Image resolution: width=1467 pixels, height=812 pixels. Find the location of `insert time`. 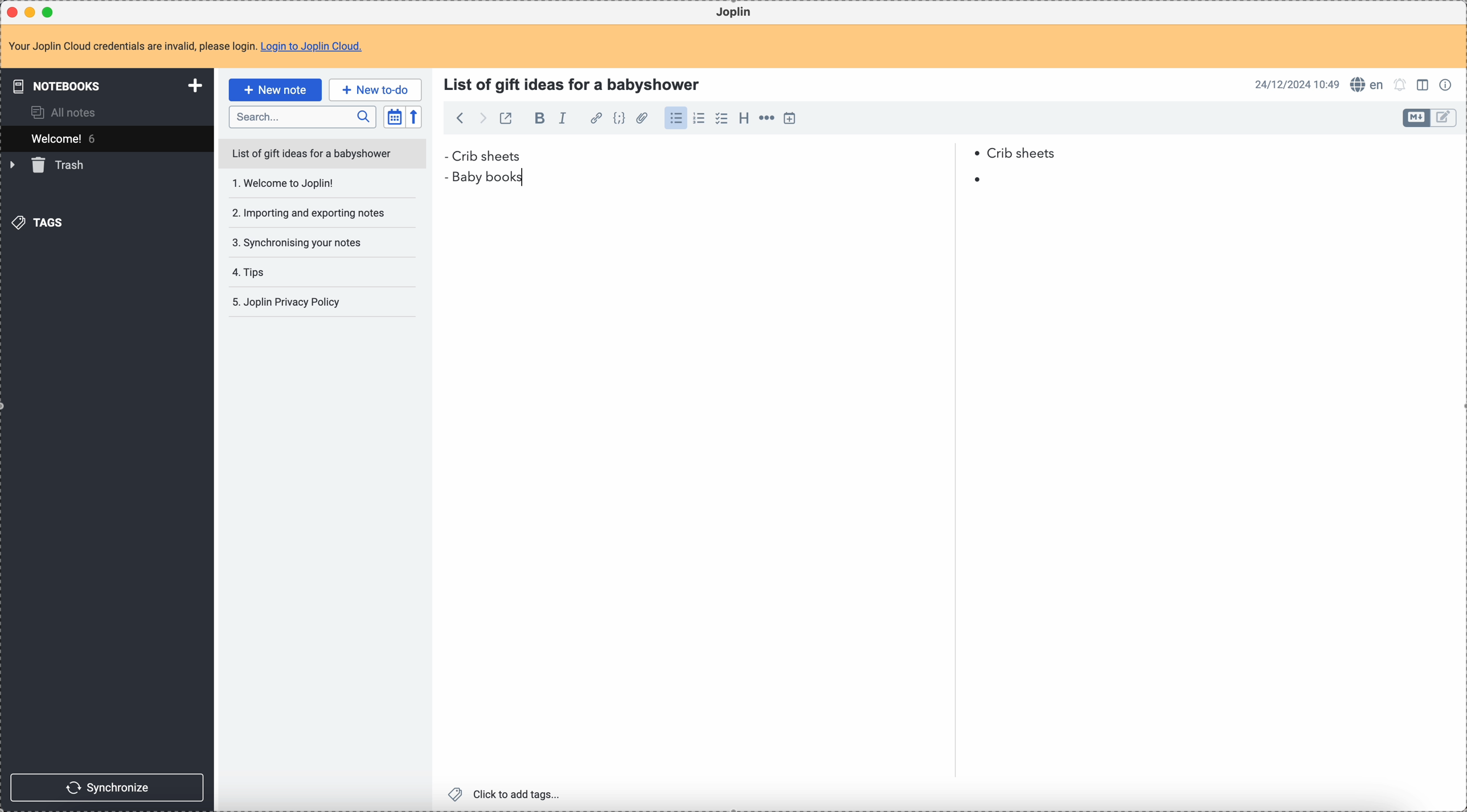

insert time is located at coordinates (793, 118).